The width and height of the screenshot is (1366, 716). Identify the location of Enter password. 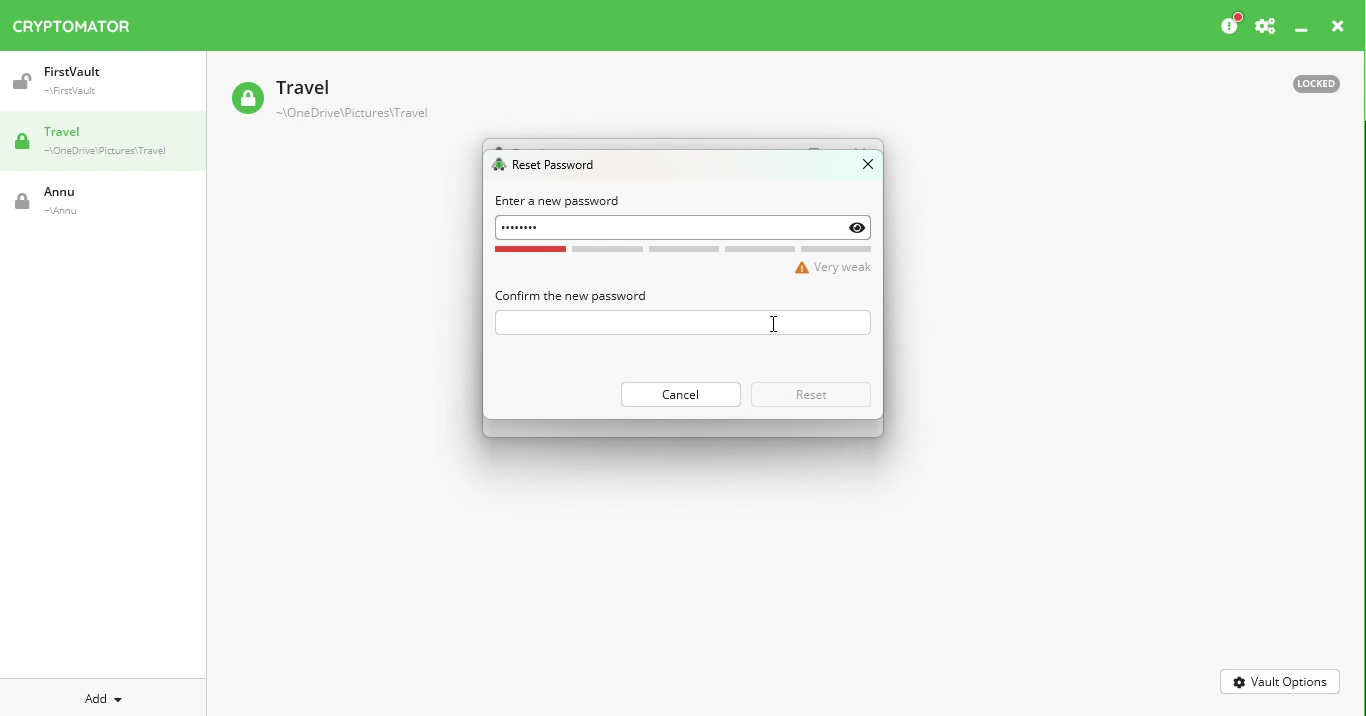
(685, 228).